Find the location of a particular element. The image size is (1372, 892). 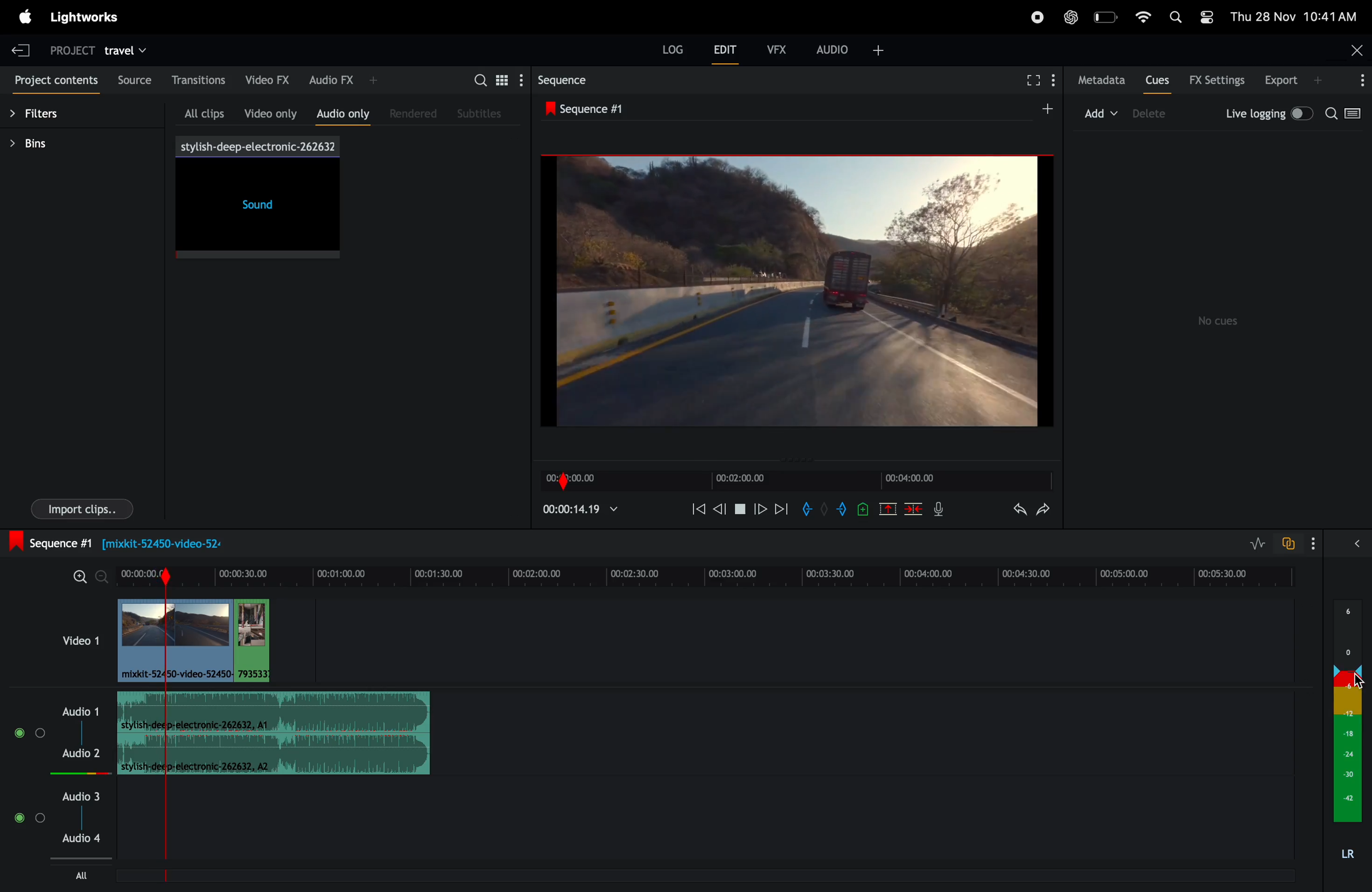

redo is located at coordinates (1044, 508).